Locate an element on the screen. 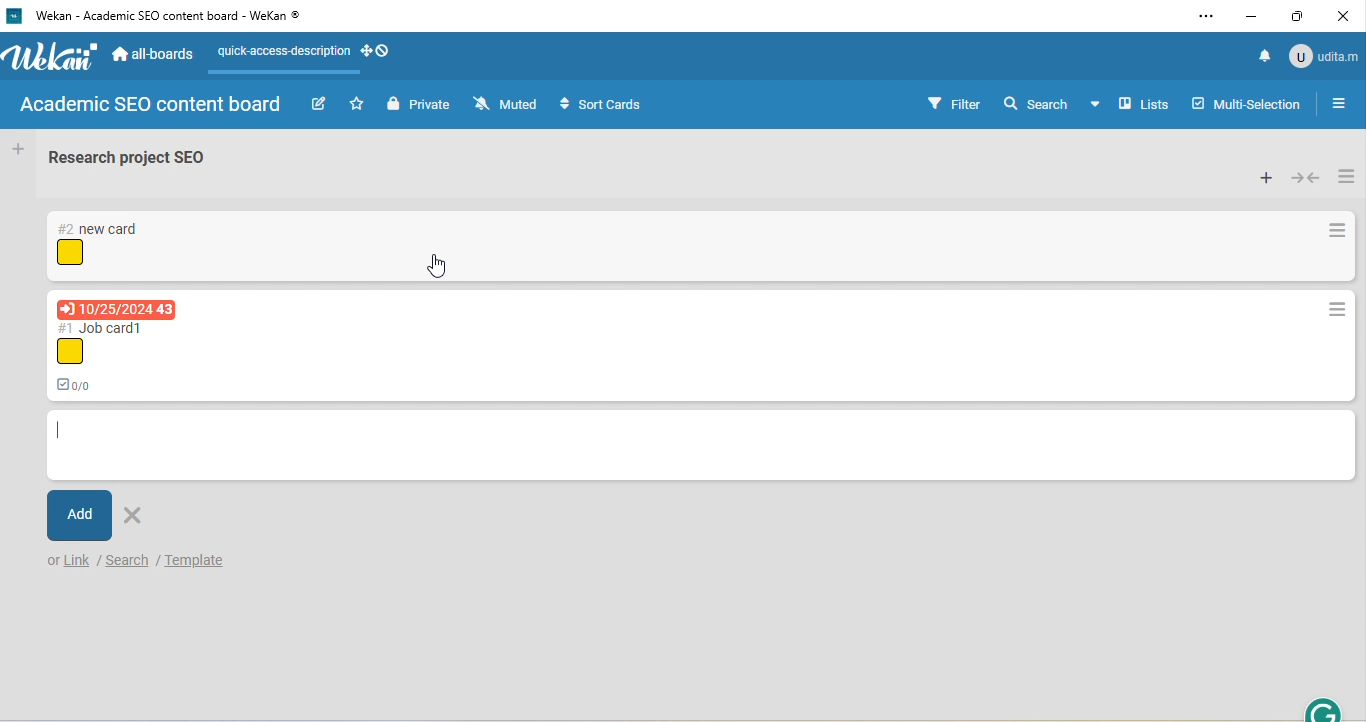  all boards is located at coordinates (155, 57).